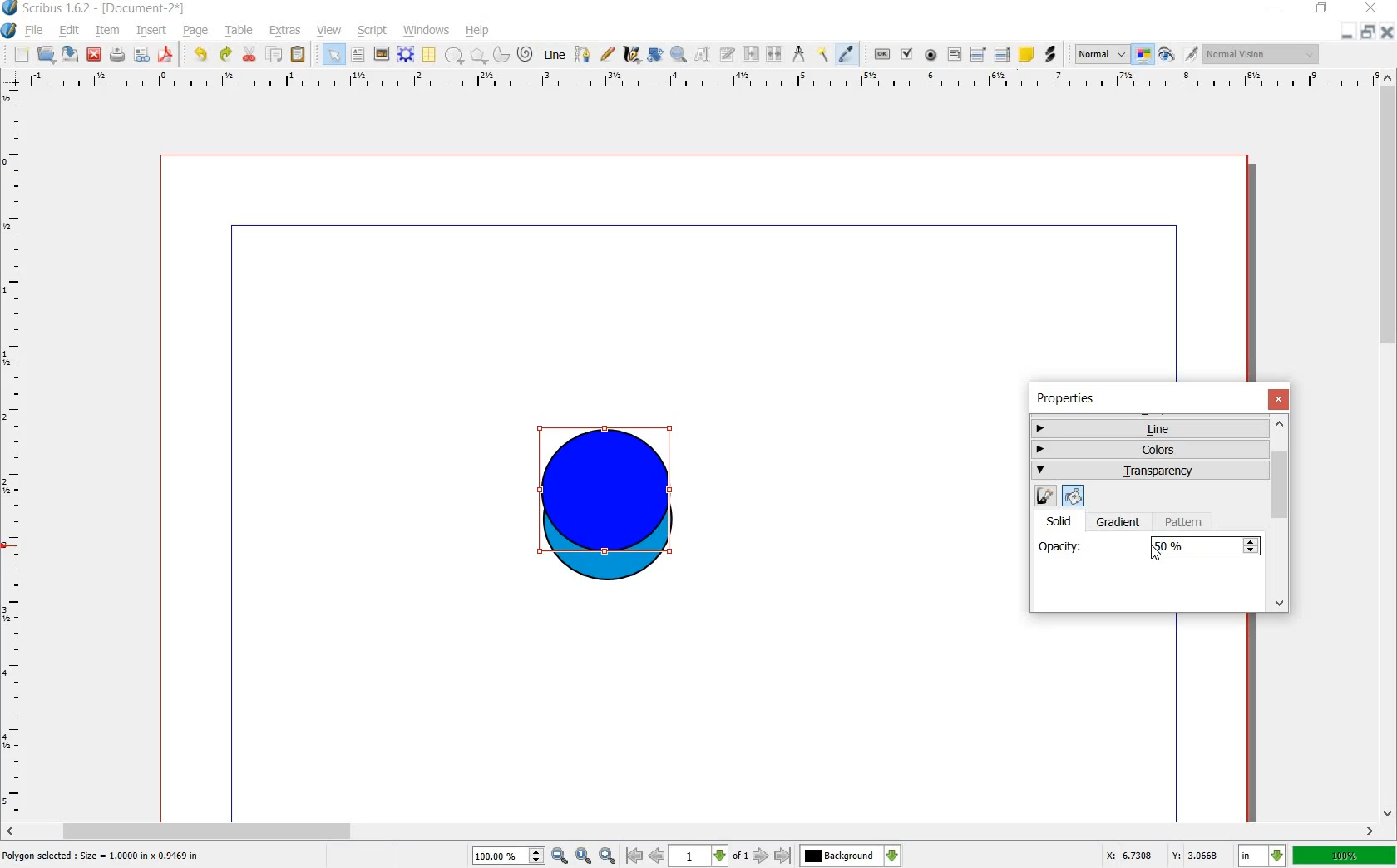 The height and width of the screenshot is (868, 1397). Describe the element at coordinates (35, 31) in the screenshot. I see `file` at that location.